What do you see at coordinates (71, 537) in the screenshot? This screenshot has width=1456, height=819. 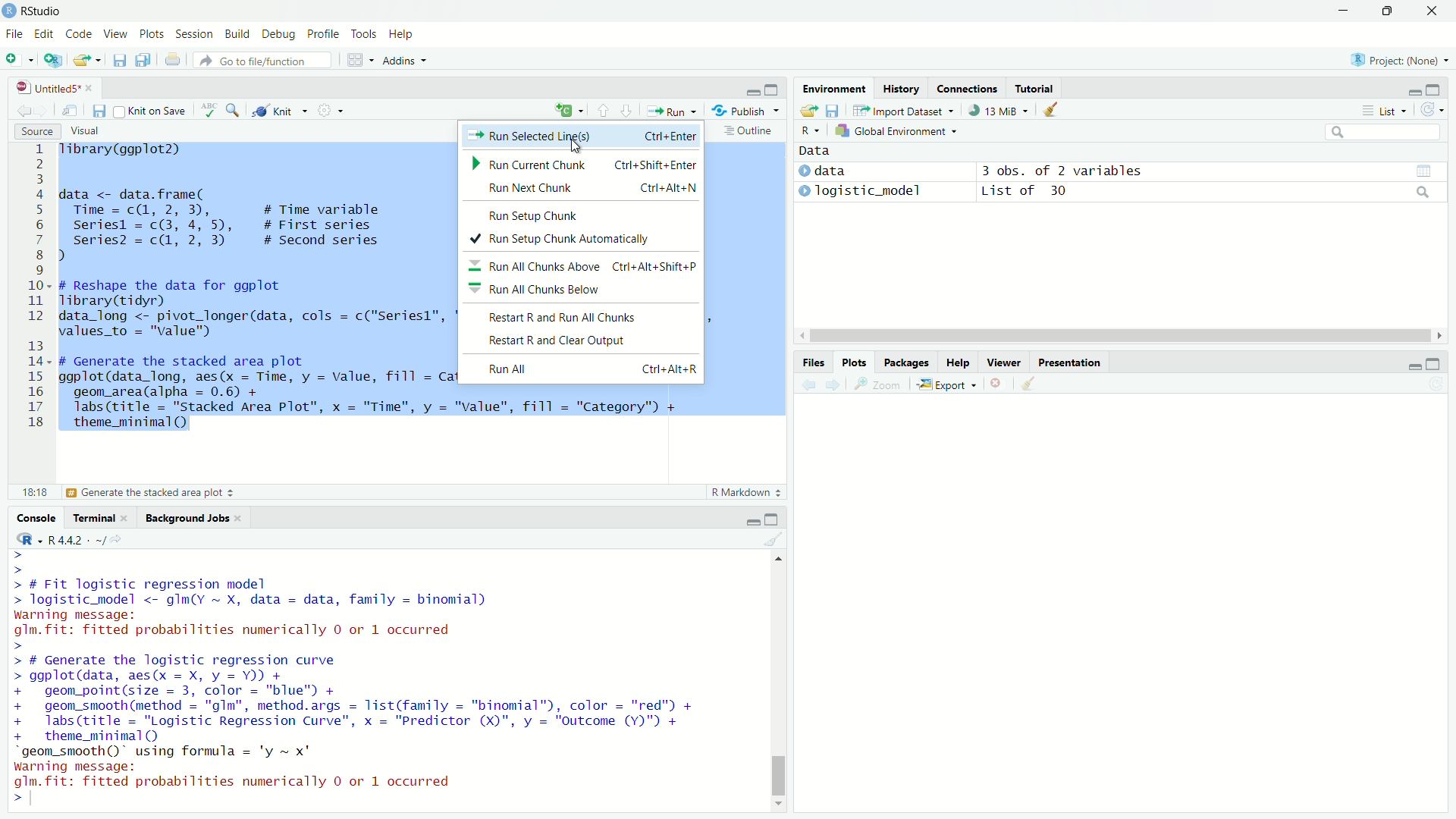 I see `«R442 -` at bounding box center [71, 537].